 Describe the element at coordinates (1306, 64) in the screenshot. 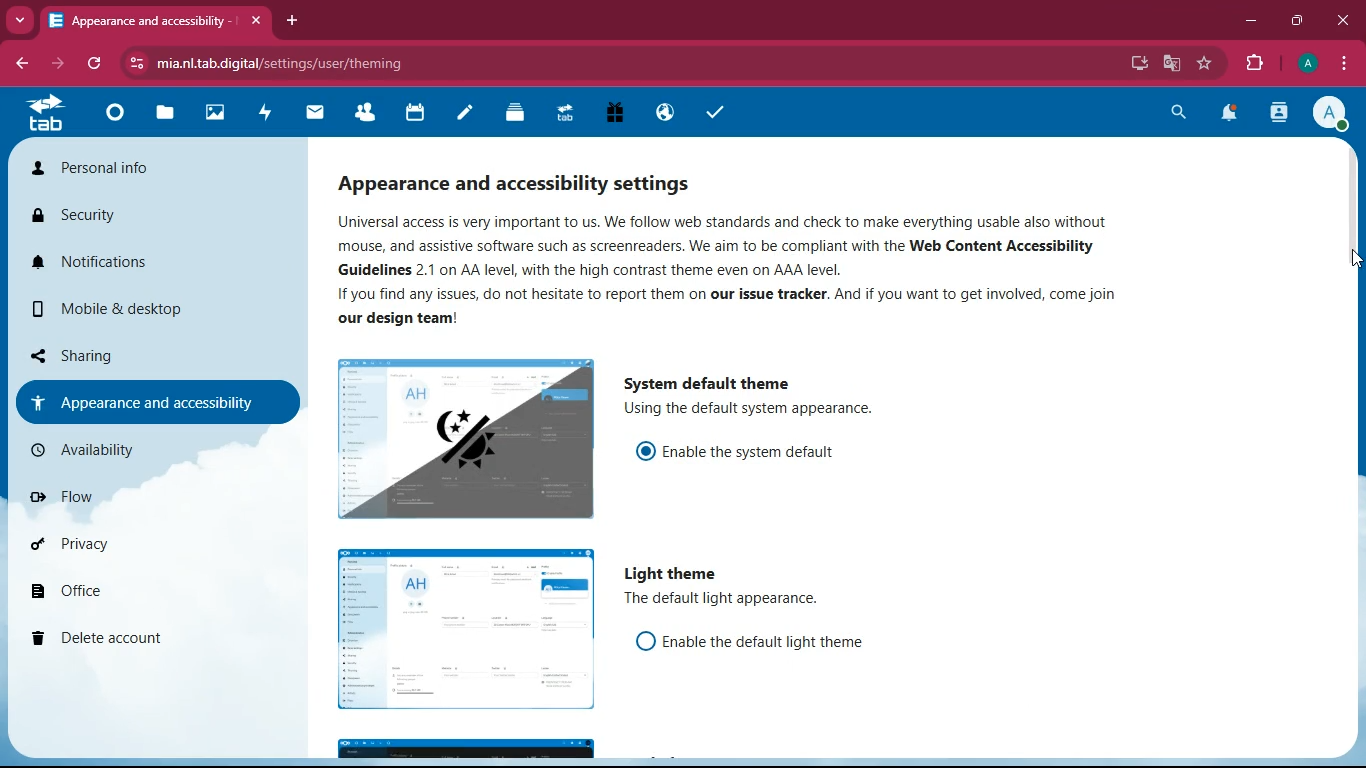

I see `profile` at that location.